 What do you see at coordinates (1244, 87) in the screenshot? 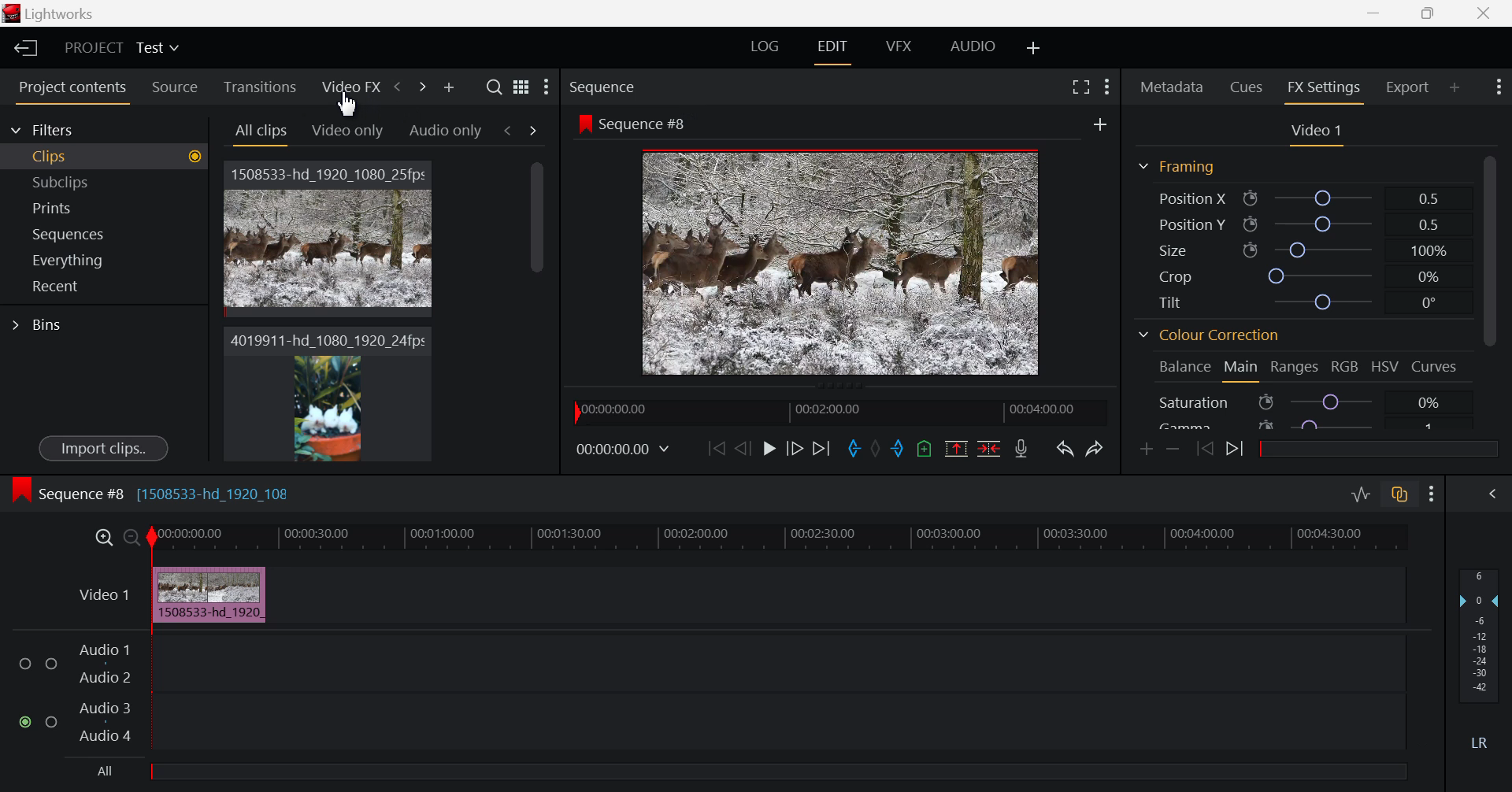
I see `Cues` at bounding box center [1244, 87].